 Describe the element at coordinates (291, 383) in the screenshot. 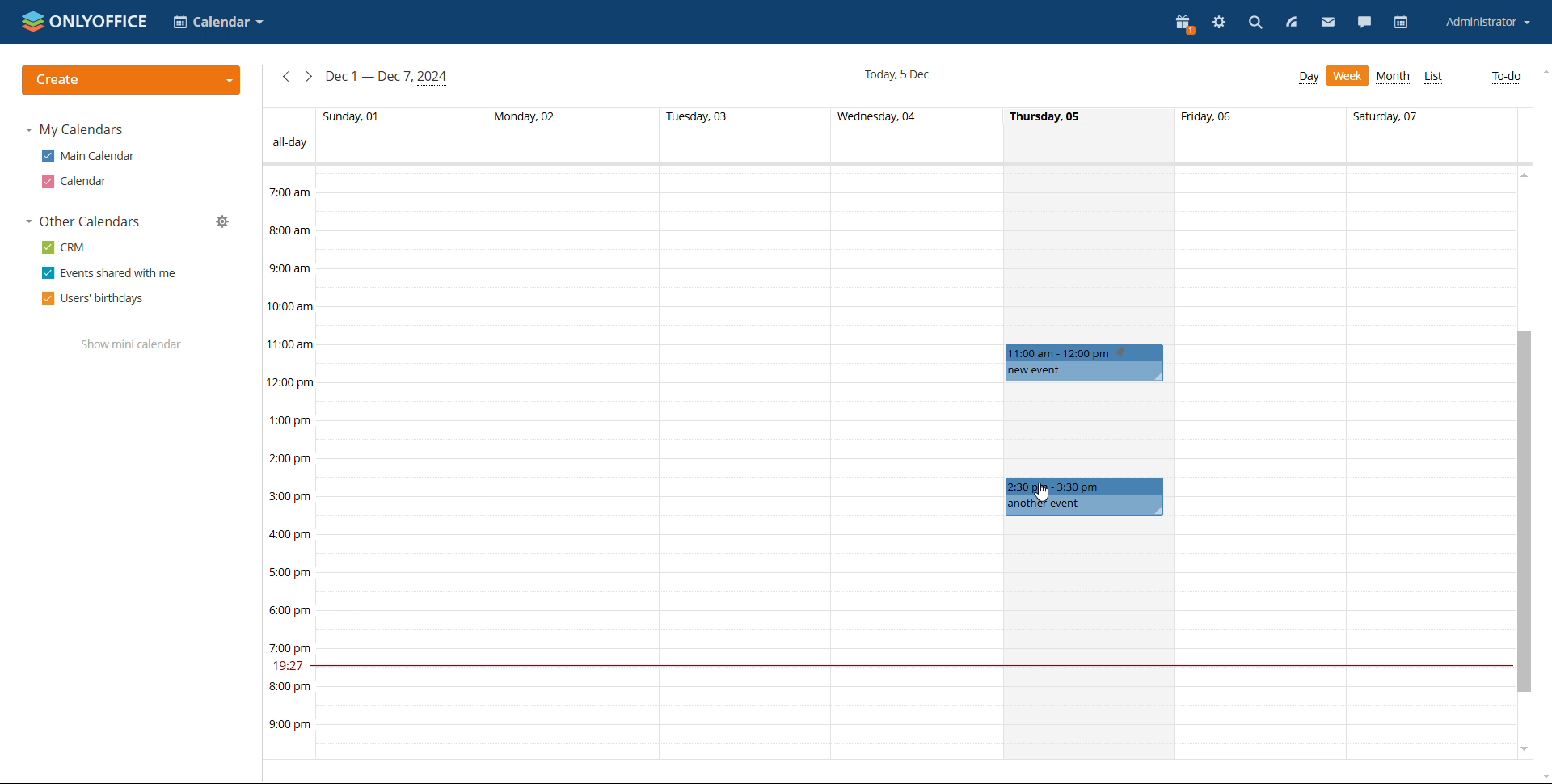

I see `12:00 pm` at that location.